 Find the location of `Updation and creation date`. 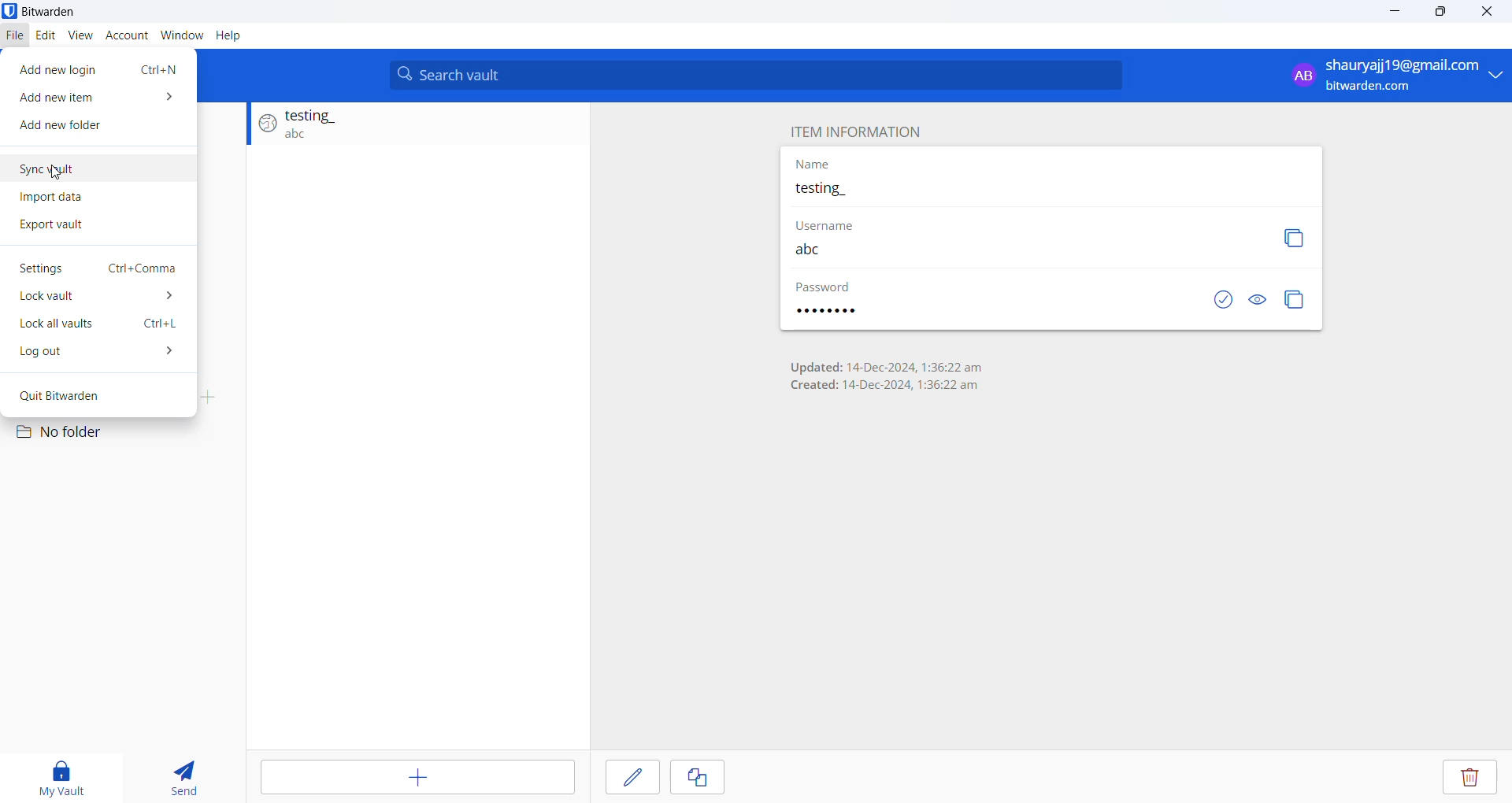

Updation and creation date is located at coordinates (885, 373).